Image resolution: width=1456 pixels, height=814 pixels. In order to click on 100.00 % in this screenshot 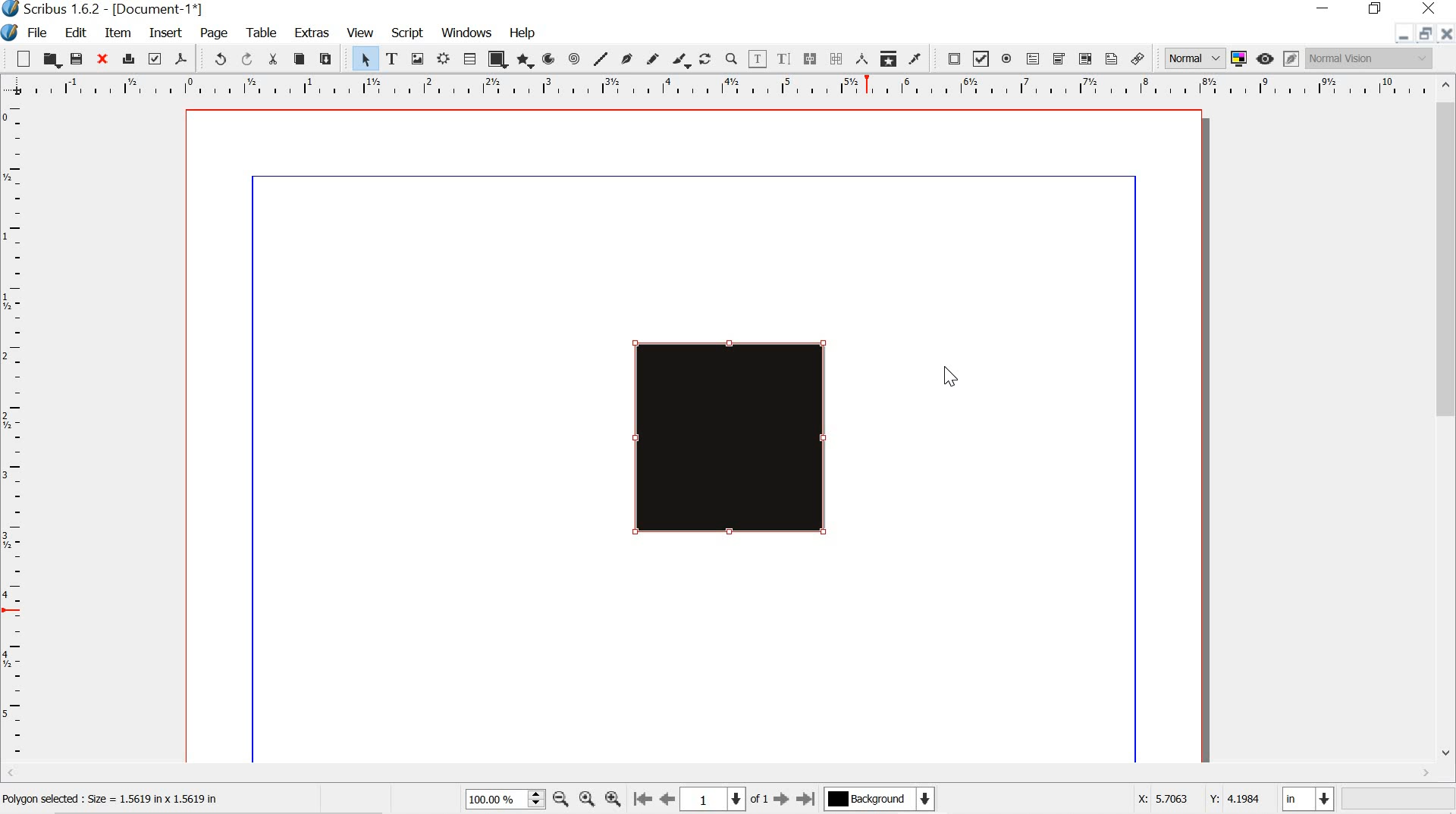, I will do `click(492, 800)`.